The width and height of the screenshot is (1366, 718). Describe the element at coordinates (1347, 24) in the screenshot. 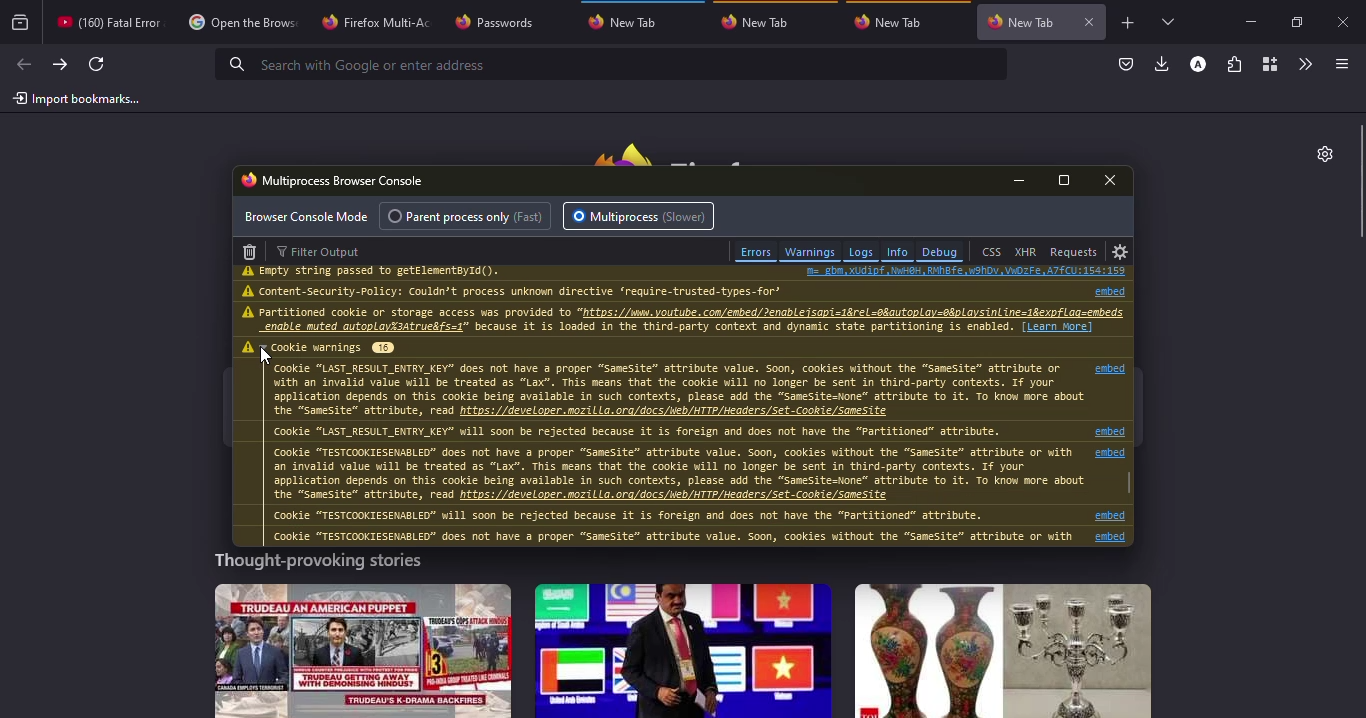

I see `close` at that location.